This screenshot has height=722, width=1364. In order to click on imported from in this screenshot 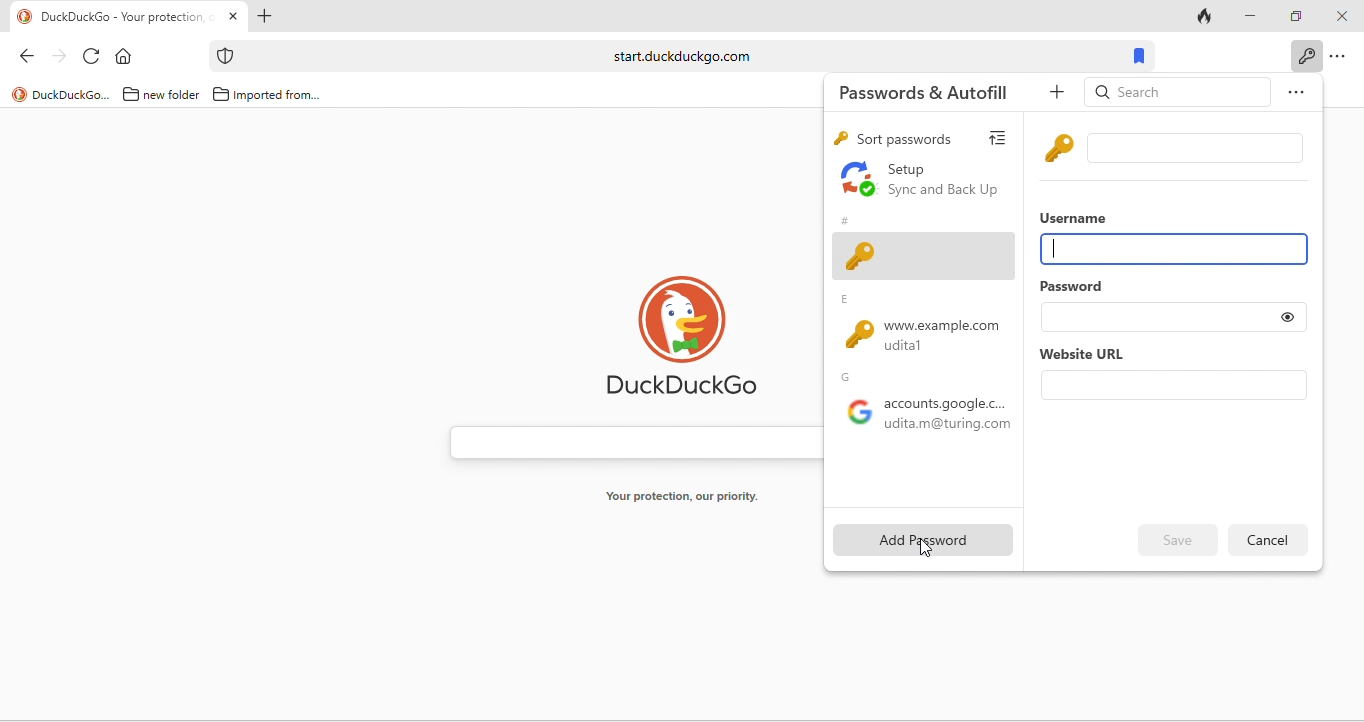, I will do `click(279, 96)`.